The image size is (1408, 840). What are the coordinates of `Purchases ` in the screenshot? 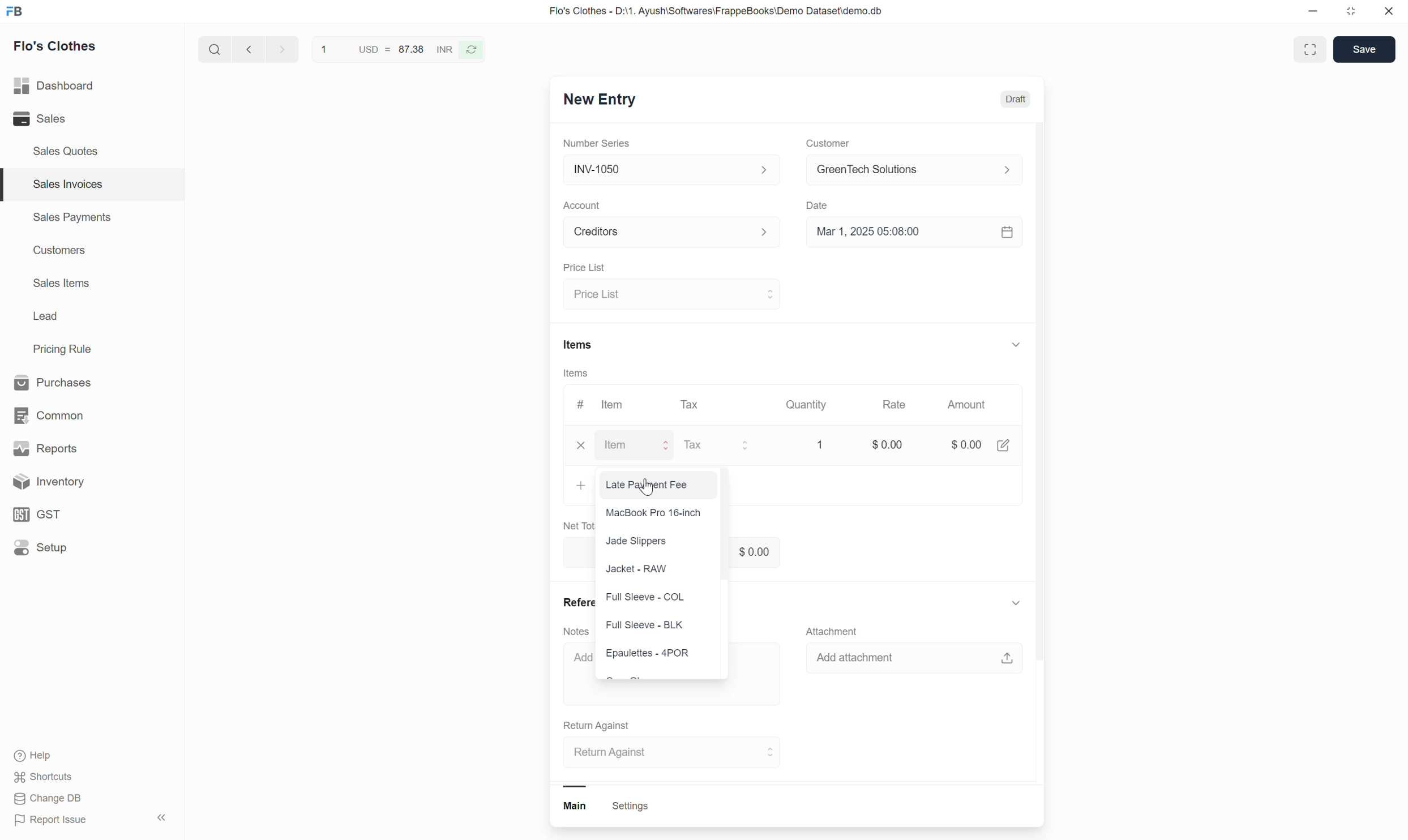 It's located at (71, 381).